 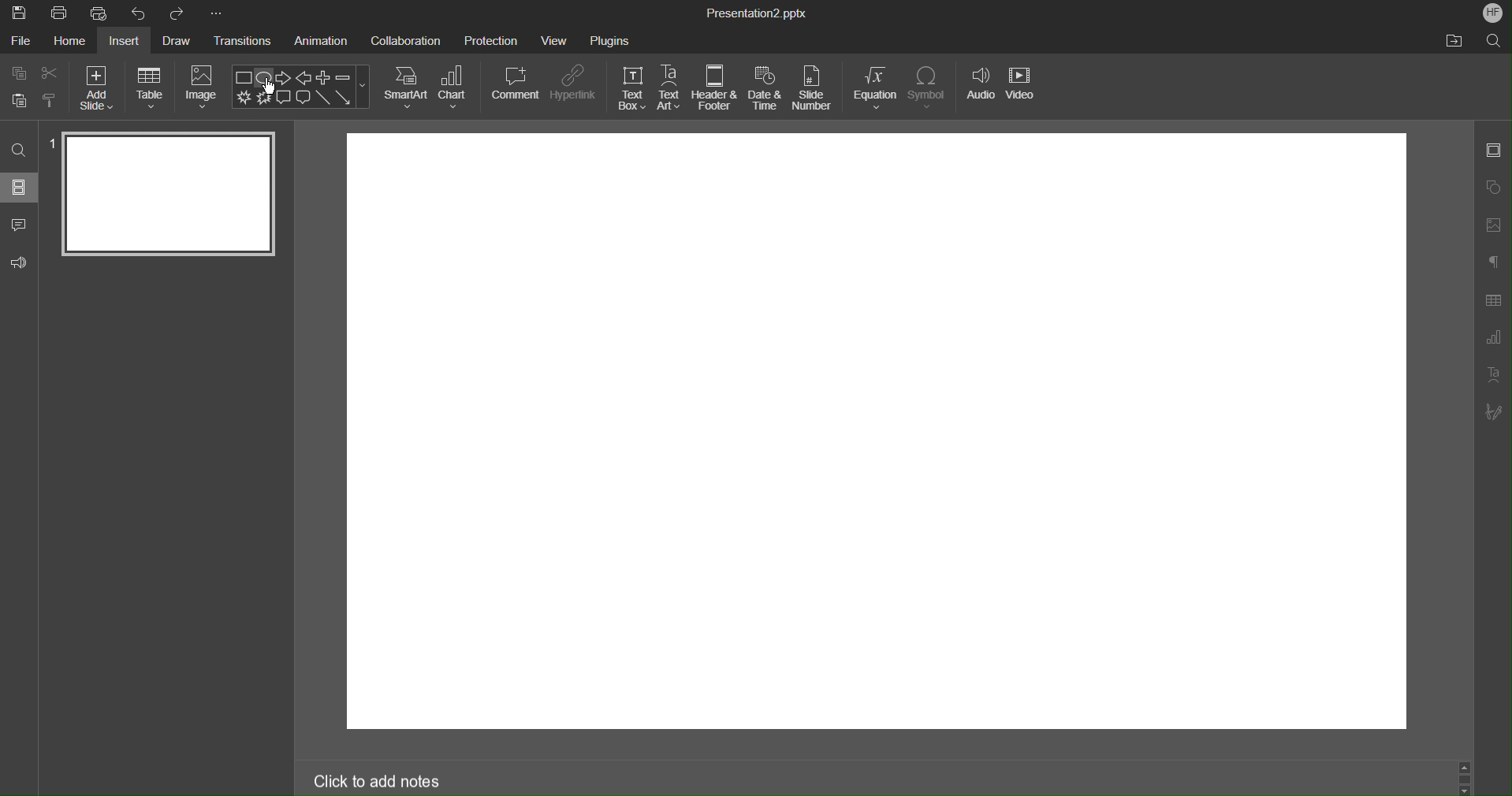 What do you see at coordinates (1495, 379) in the screenshot?
I see `Text Art` at bounding box center [1495, 379].